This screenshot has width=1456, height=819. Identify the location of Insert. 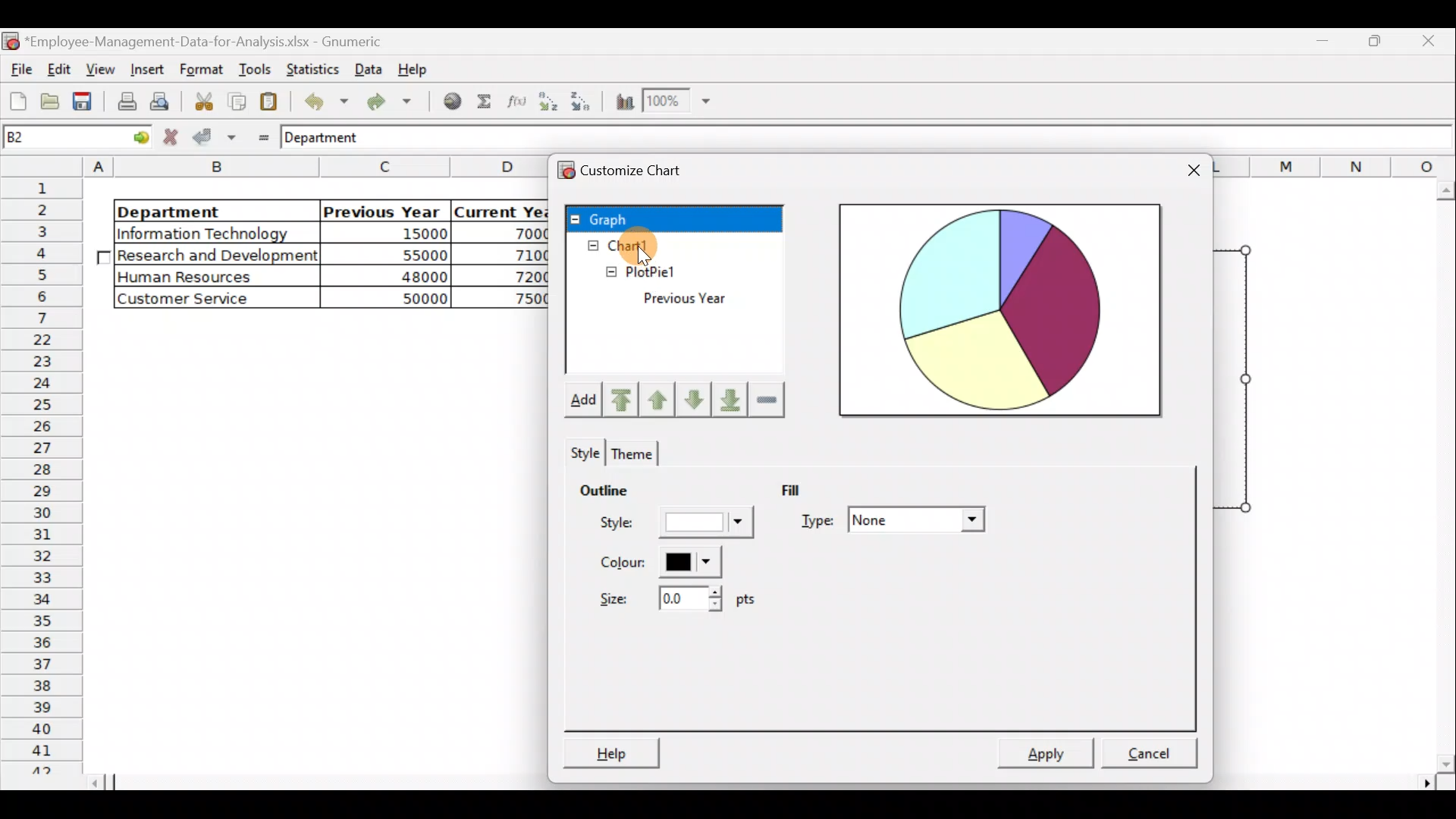
(146, 68).